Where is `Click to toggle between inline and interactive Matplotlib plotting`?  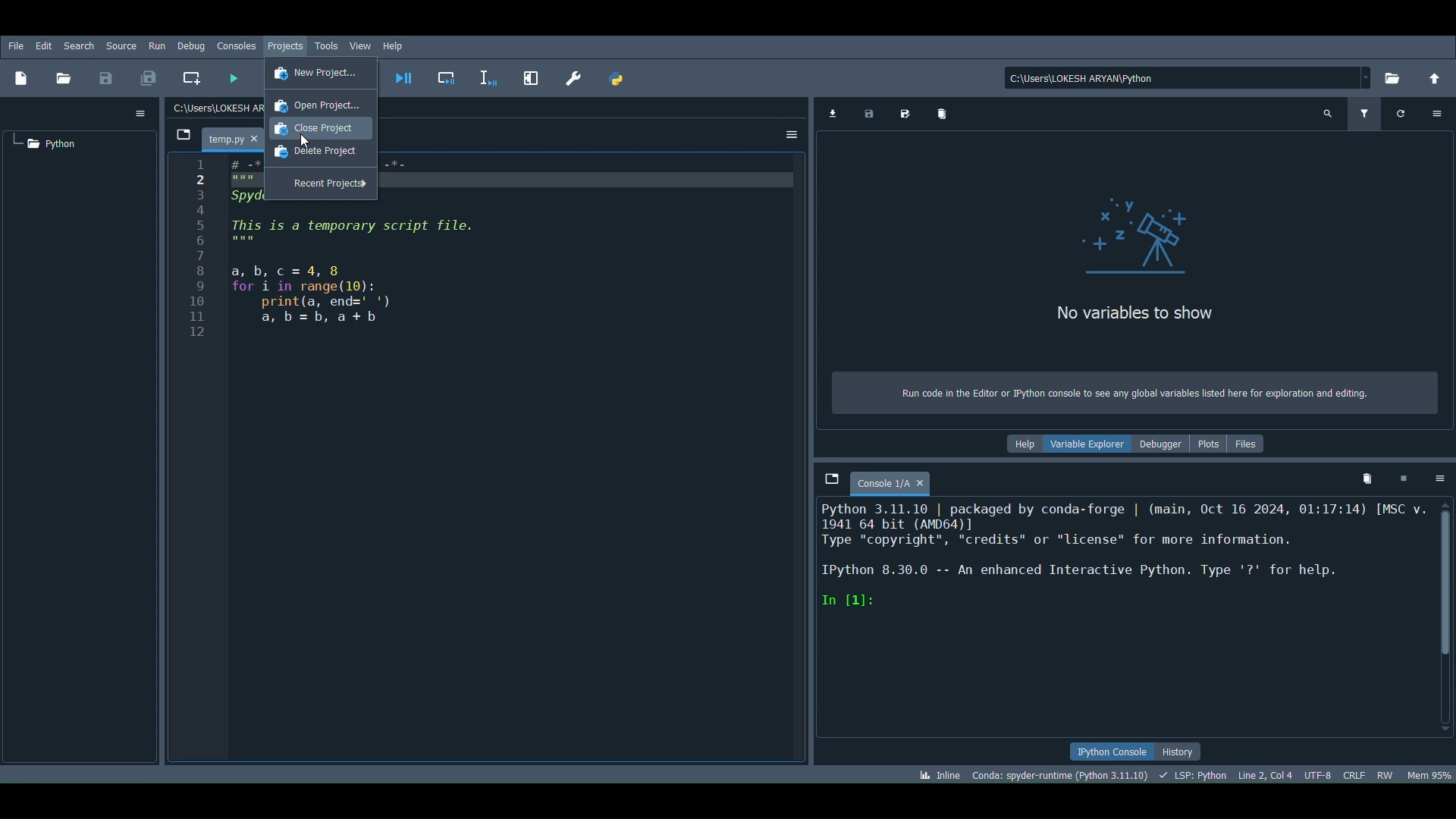 Click to toggle between inline and interactive Matplotlib plotting is located at coordinates (932, 773).